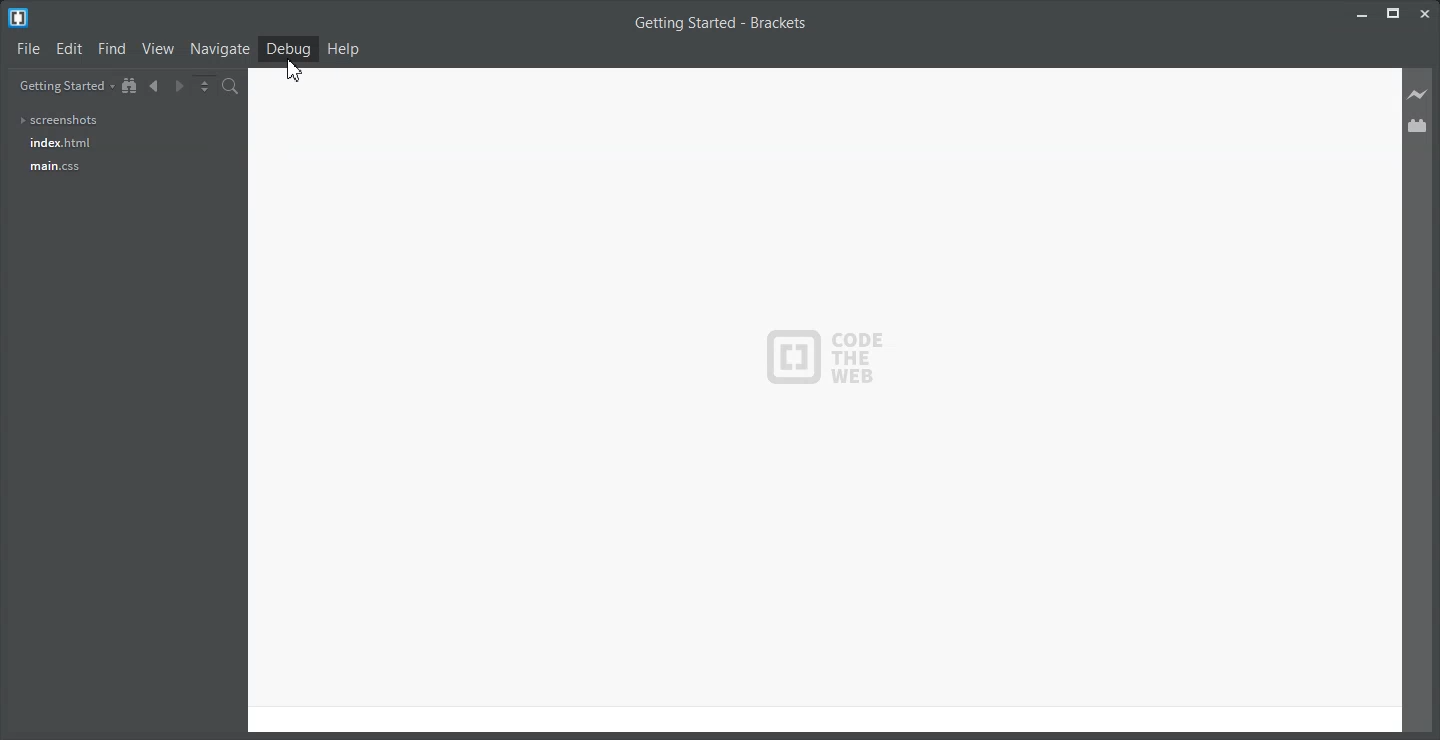 The height and width of the screenshot is (740, 1440). Describe the element at coordinates (1418, 125) in the screenshot. I see `Extension Manager` at that location.